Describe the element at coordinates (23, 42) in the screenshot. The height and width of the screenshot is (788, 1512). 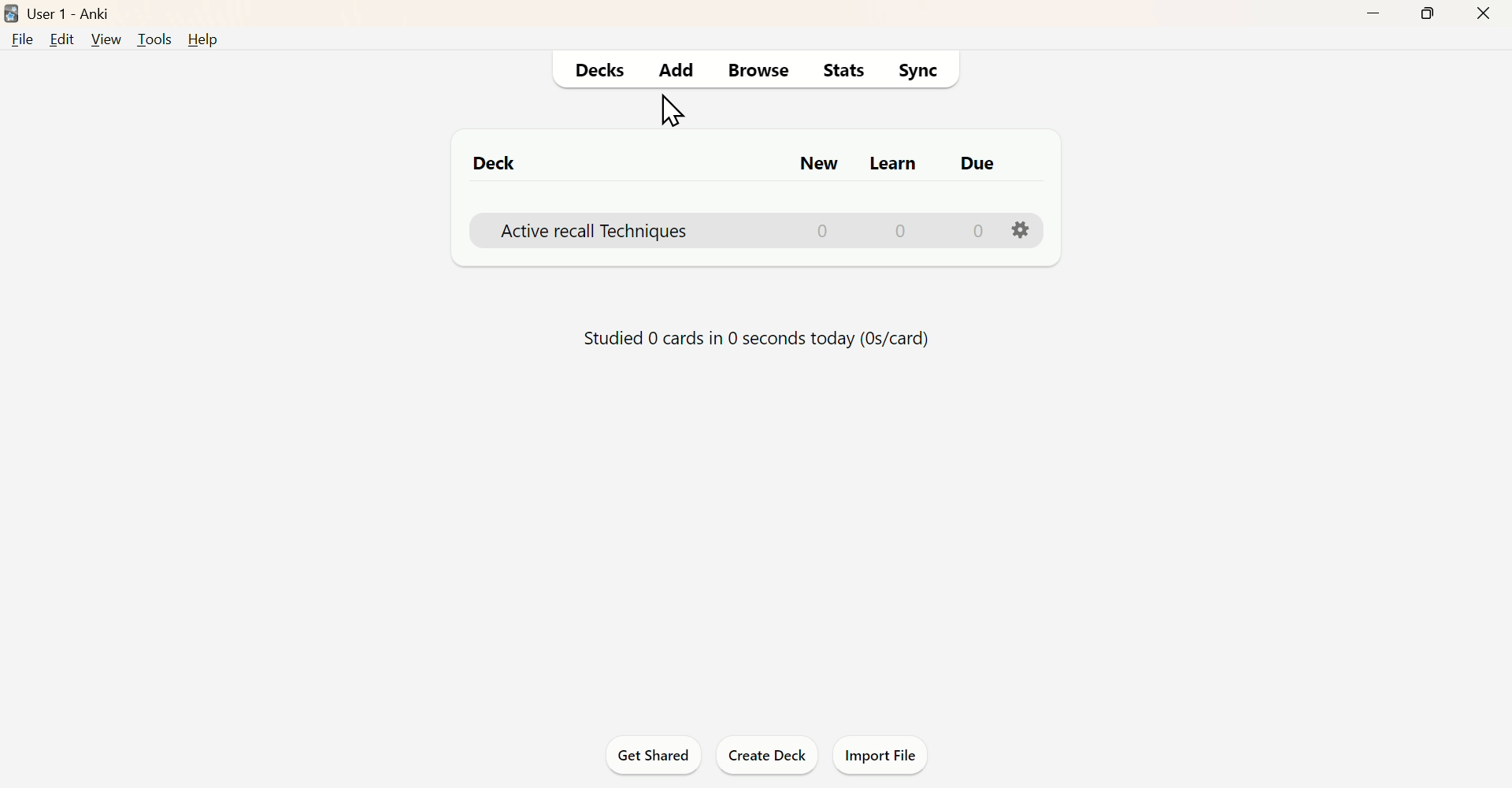
I see `File` at that location.